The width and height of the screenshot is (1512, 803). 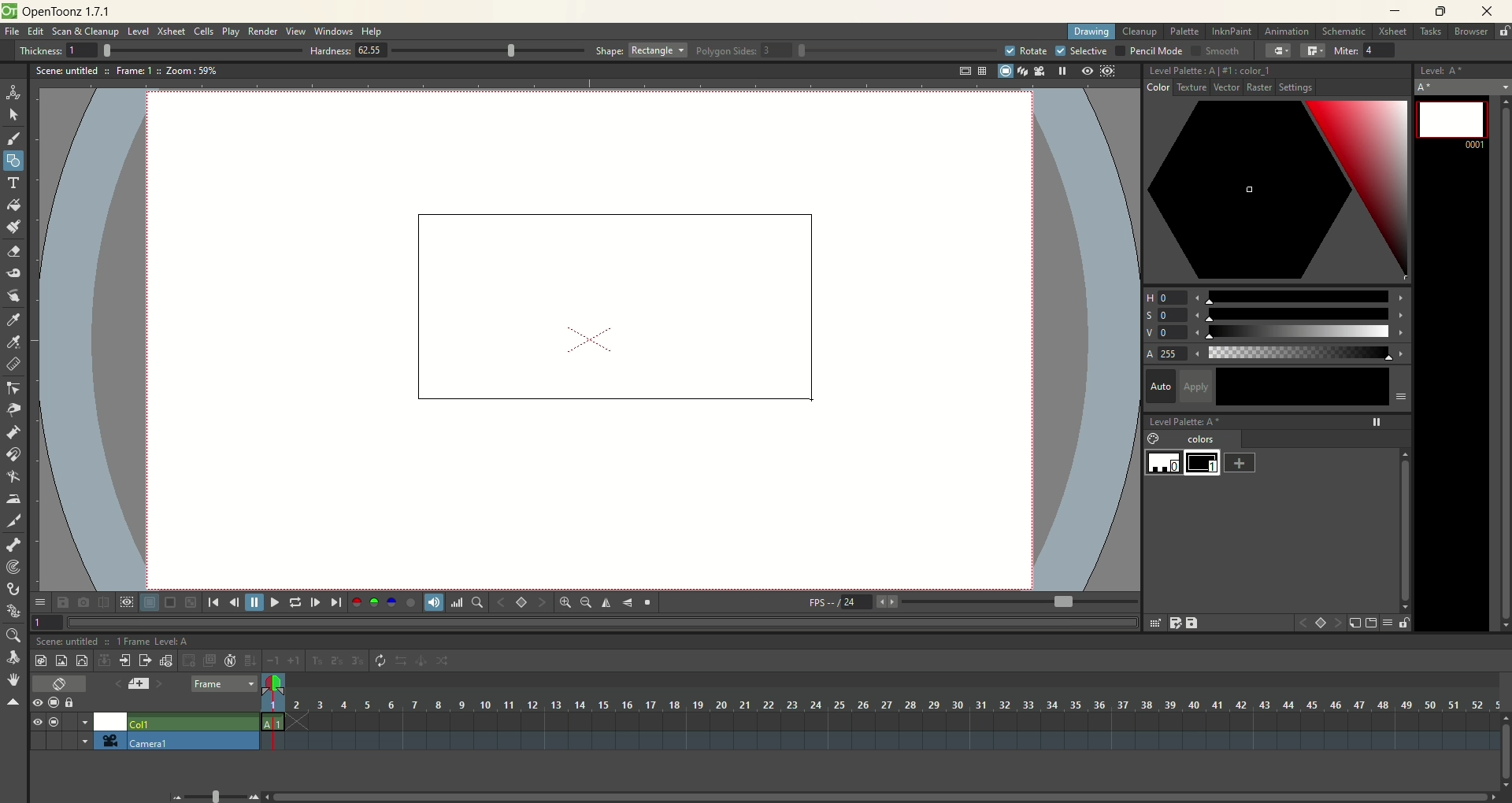 What do you see at coordinates (389, 601) in the screenshot?
I see `blue channel` at bounding box center [389, 601].